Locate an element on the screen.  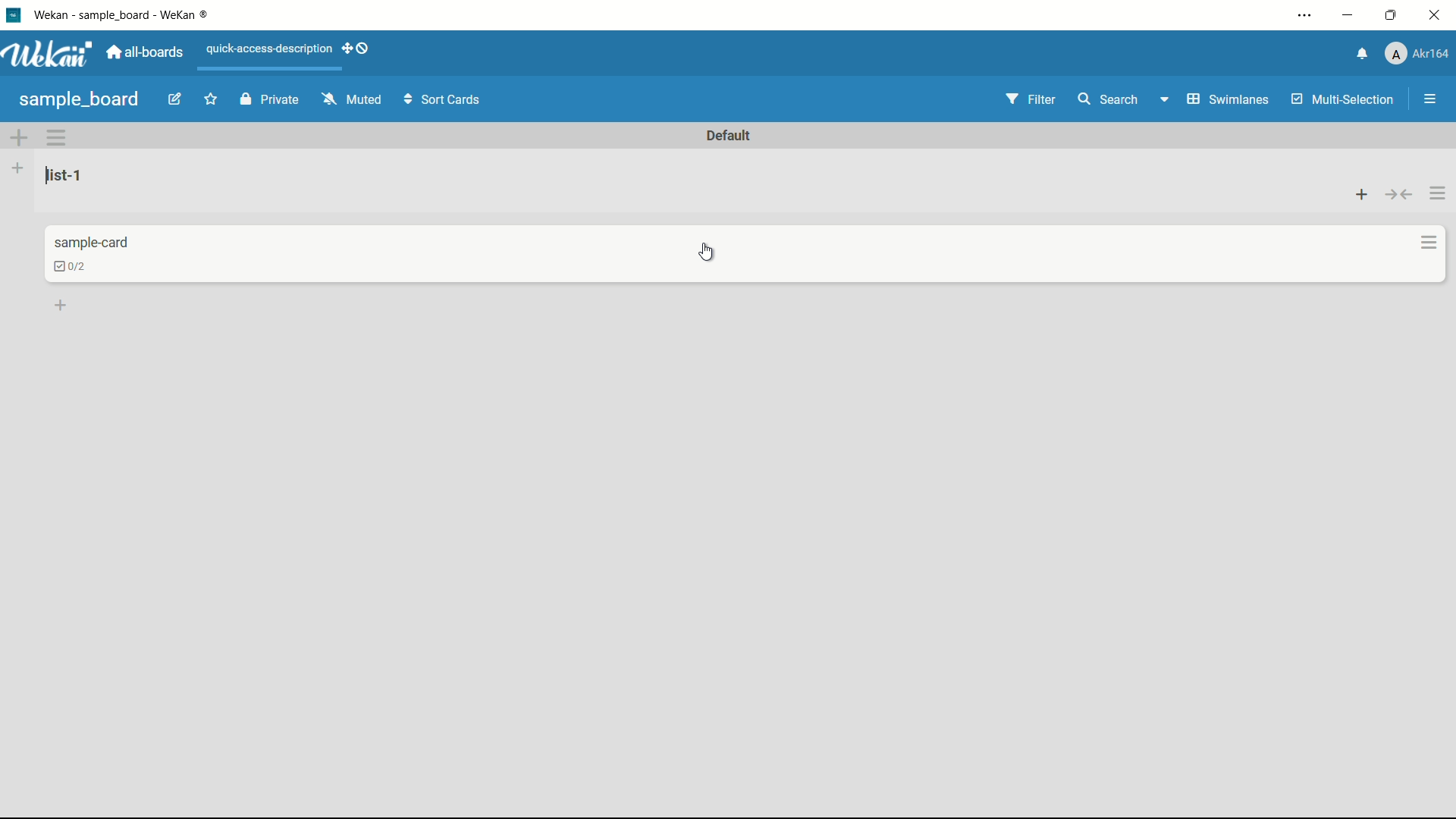
multi selection is located at coordinates (1341, 101).